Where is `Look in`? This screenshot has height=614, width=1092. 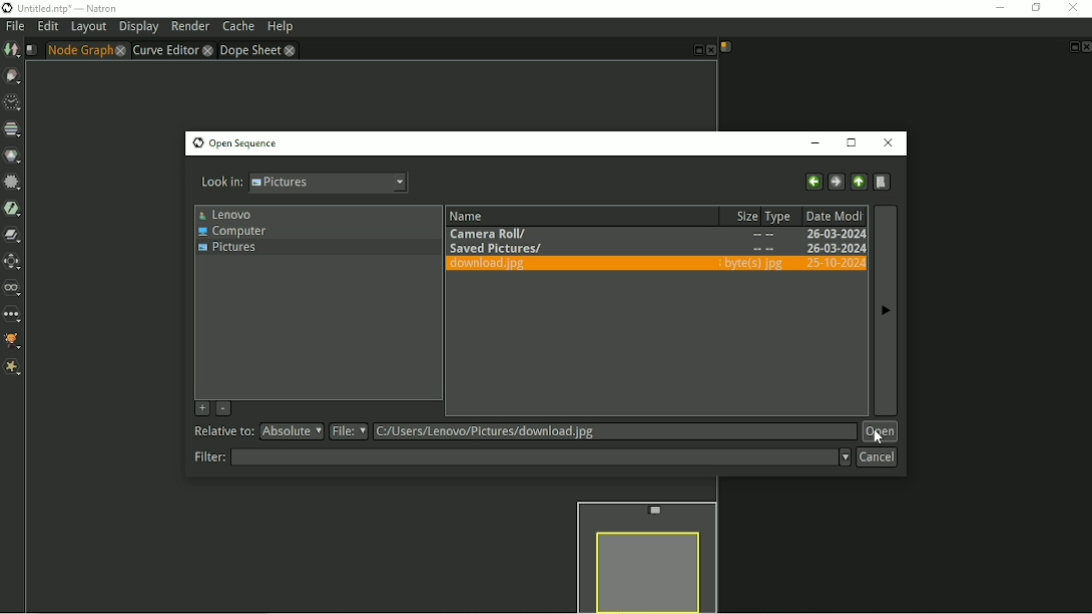
Look in is located at coordinates (305, 185).